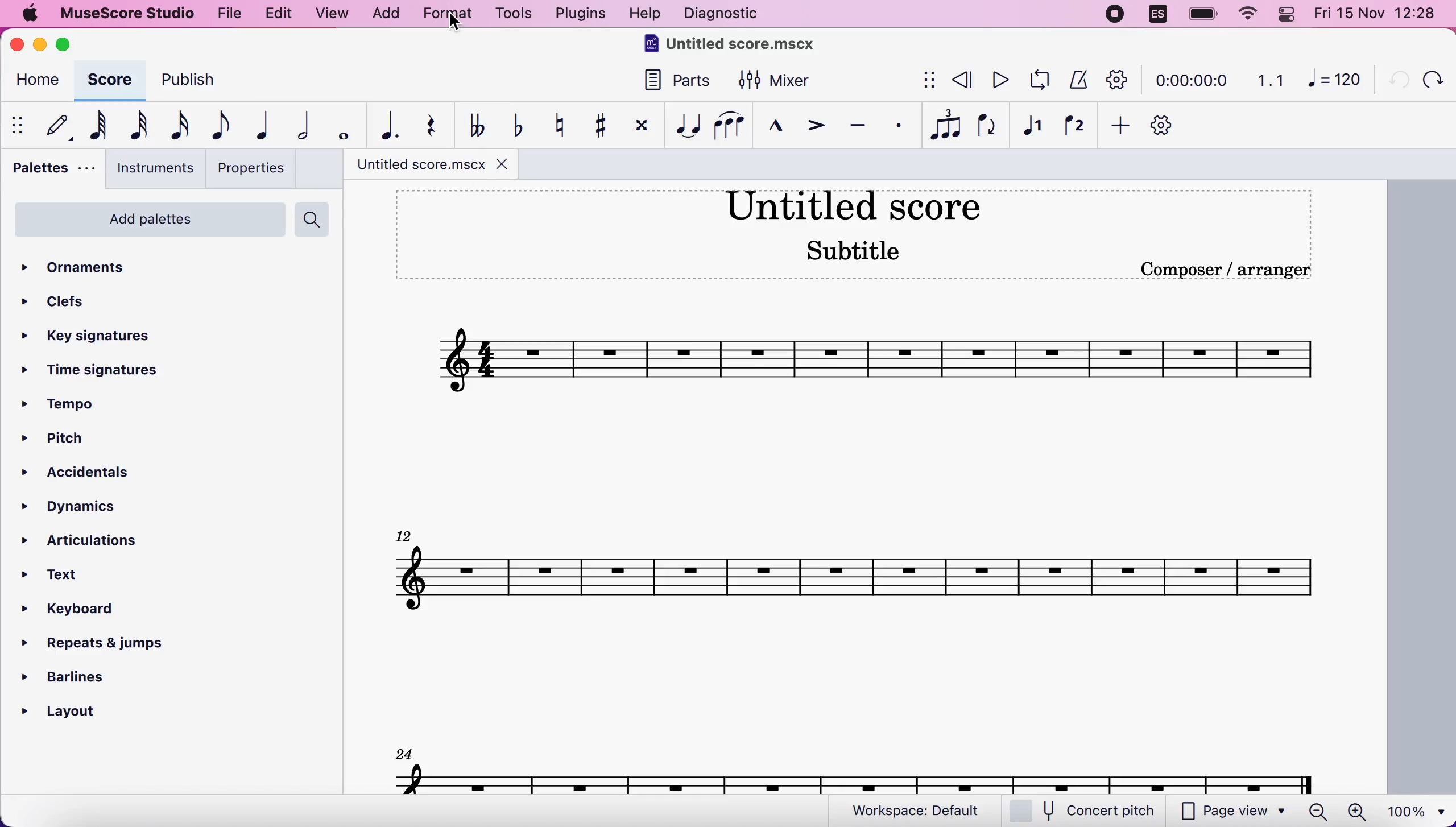  I want to click on page view, so click(1233, 812).